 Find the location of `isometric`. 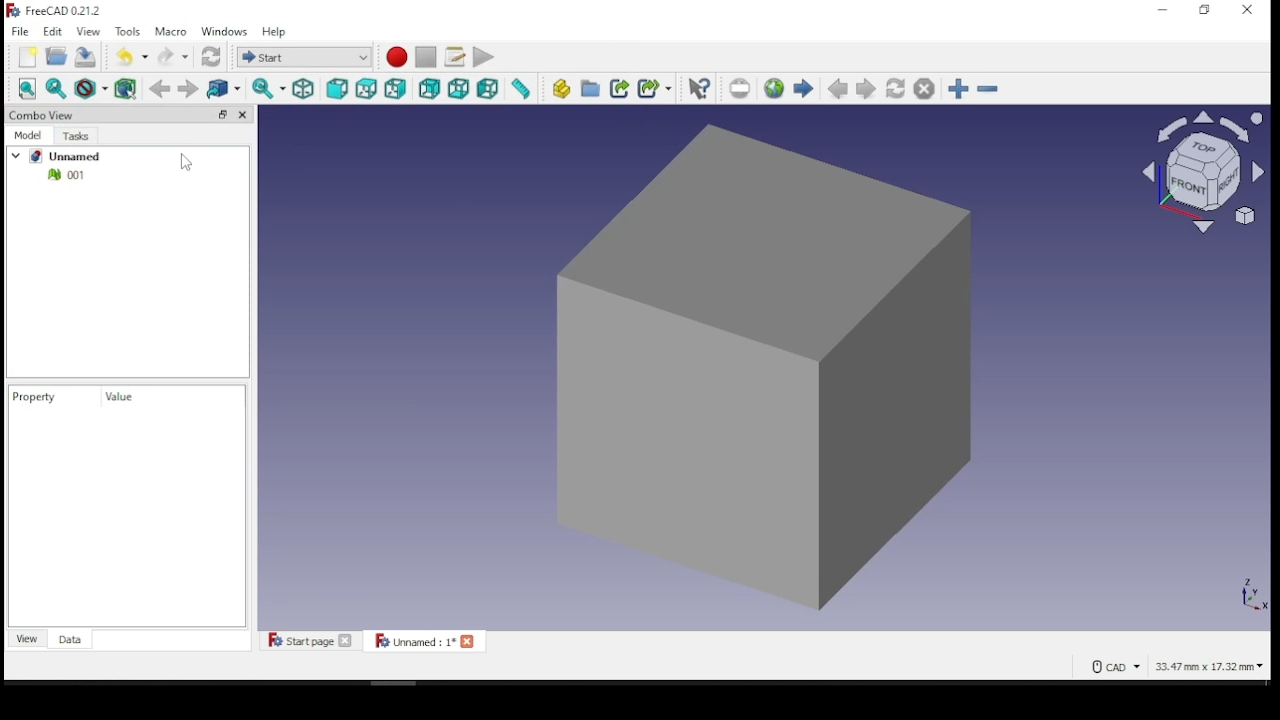

isometric is located at coordinates (304, 88).